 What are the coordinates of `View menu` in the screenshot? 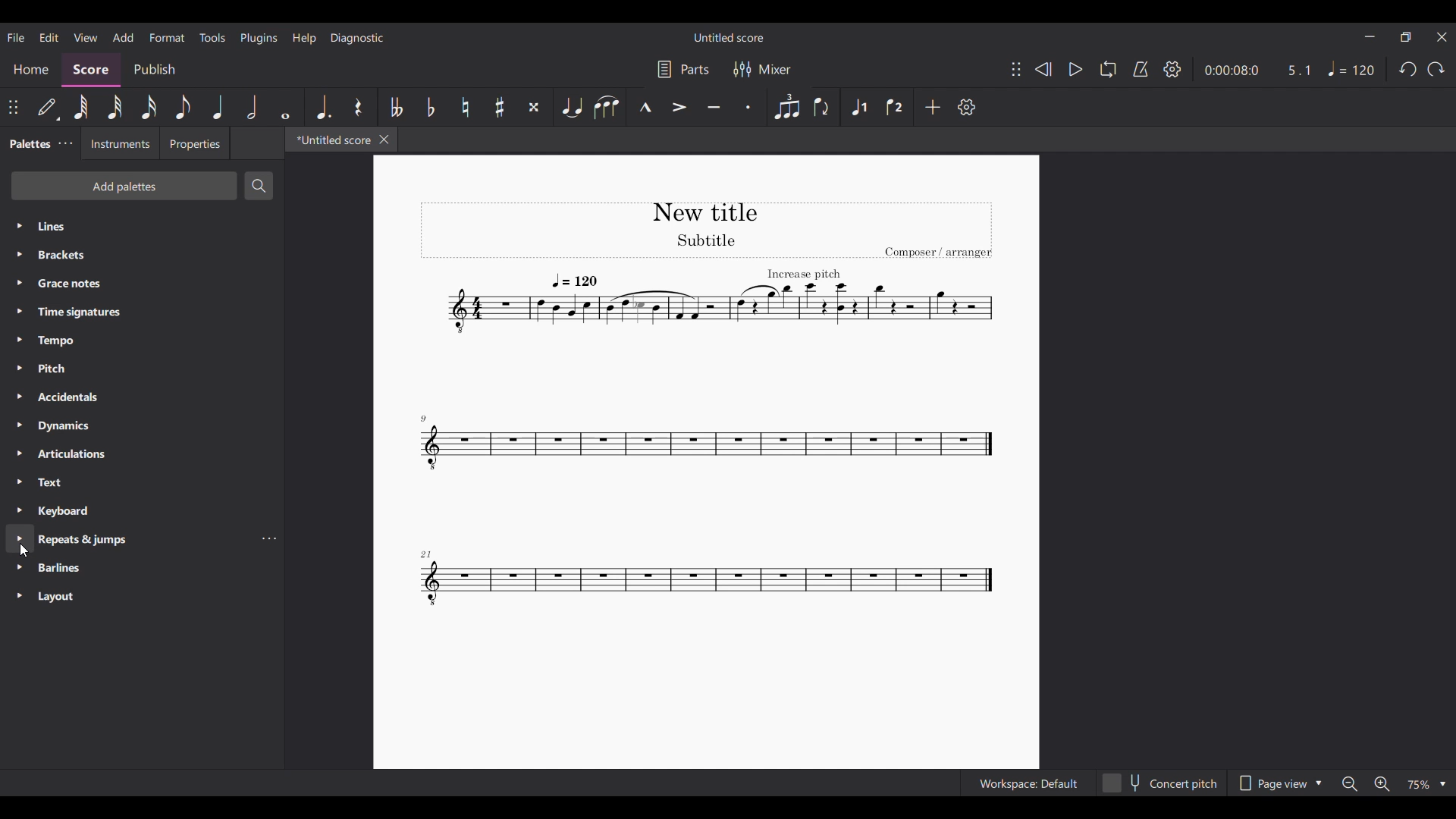 It's located at (86, 37).